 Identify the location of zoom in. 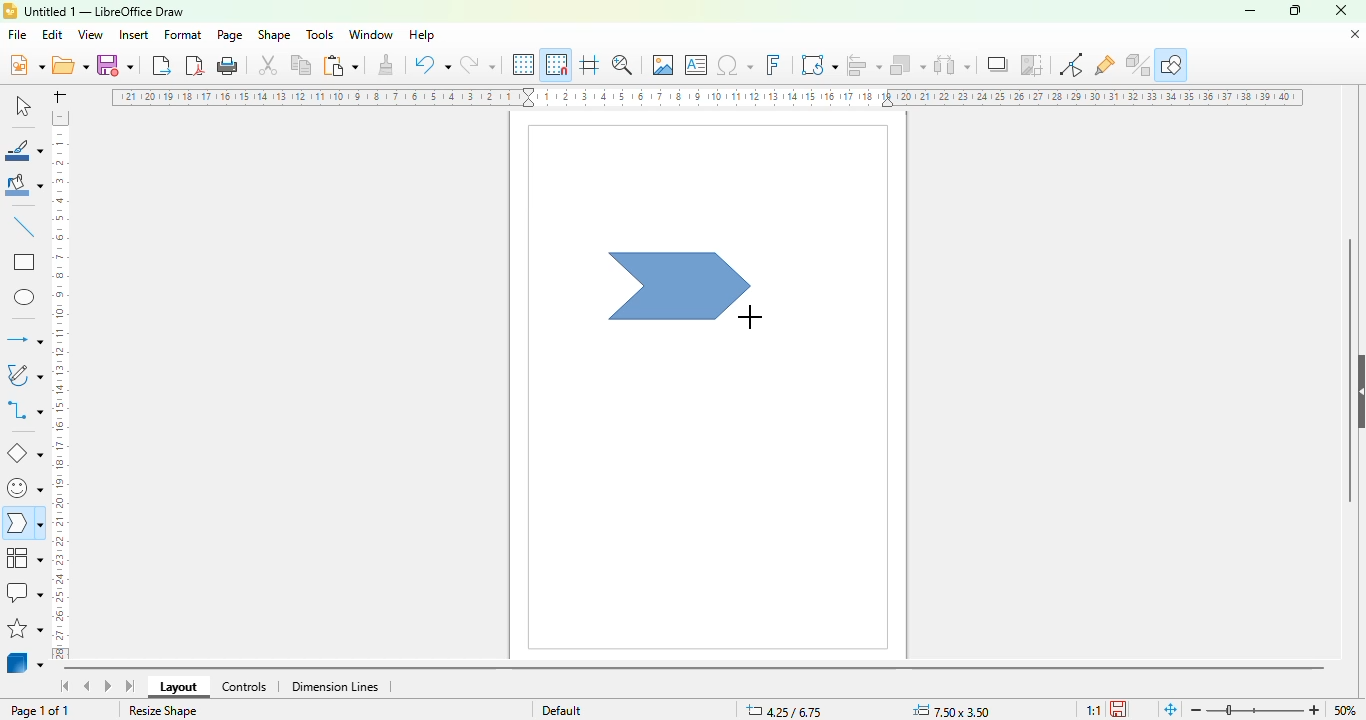
(1314, 710).